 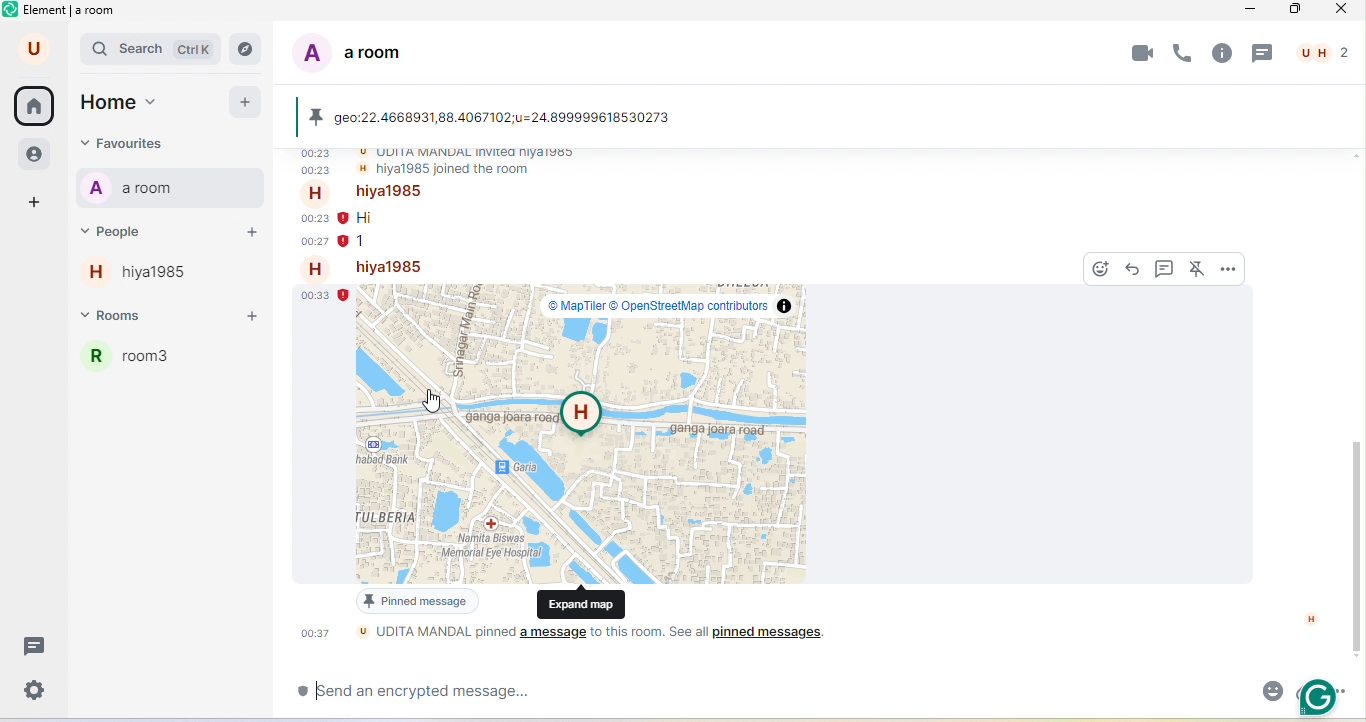 What do you see at coordinates (257, 317) in the screenshot?
I see `add room` at bounding box center [257, 317].